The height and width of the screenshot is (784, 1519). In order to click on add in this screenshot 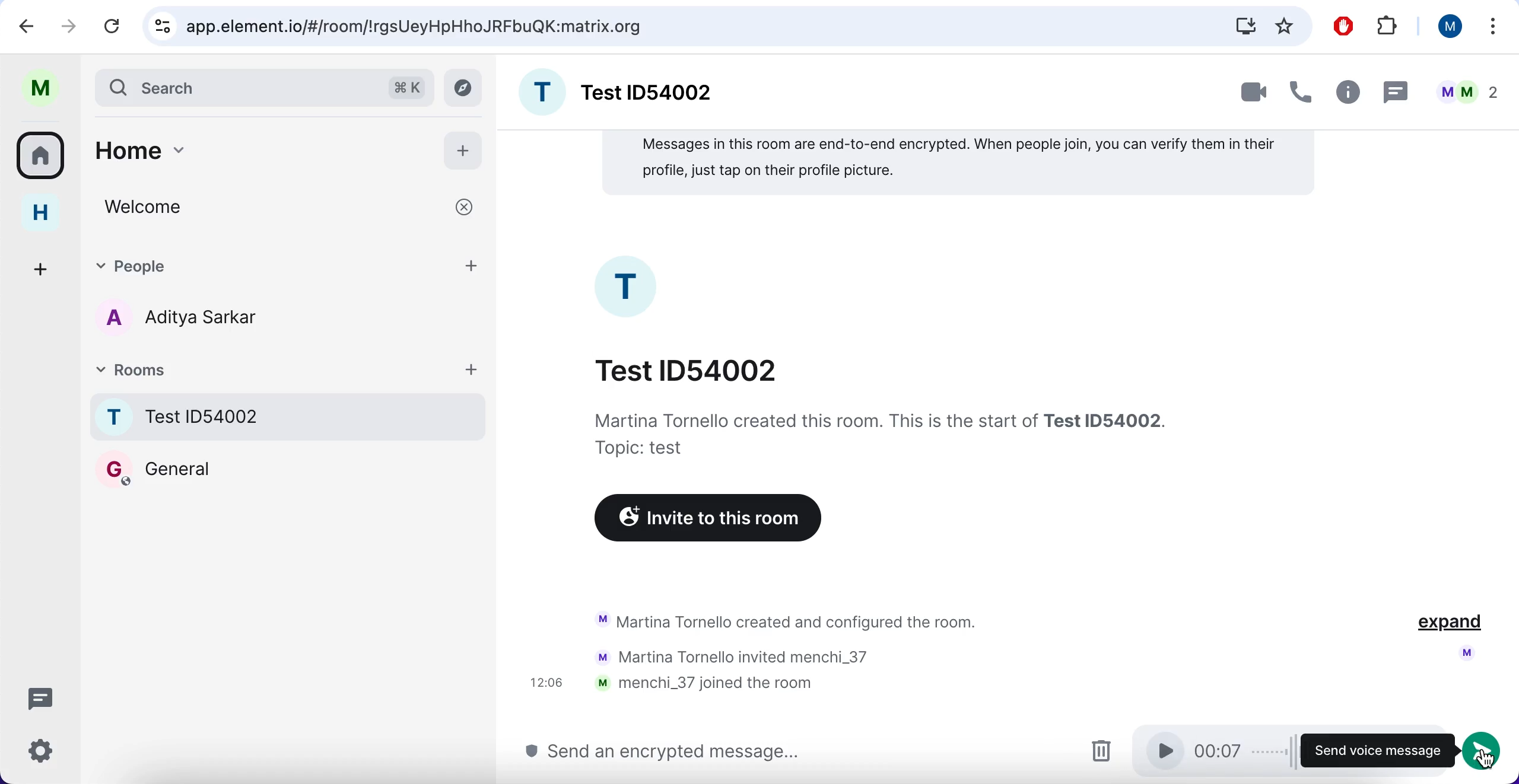, I will do `click(465, 151)`.